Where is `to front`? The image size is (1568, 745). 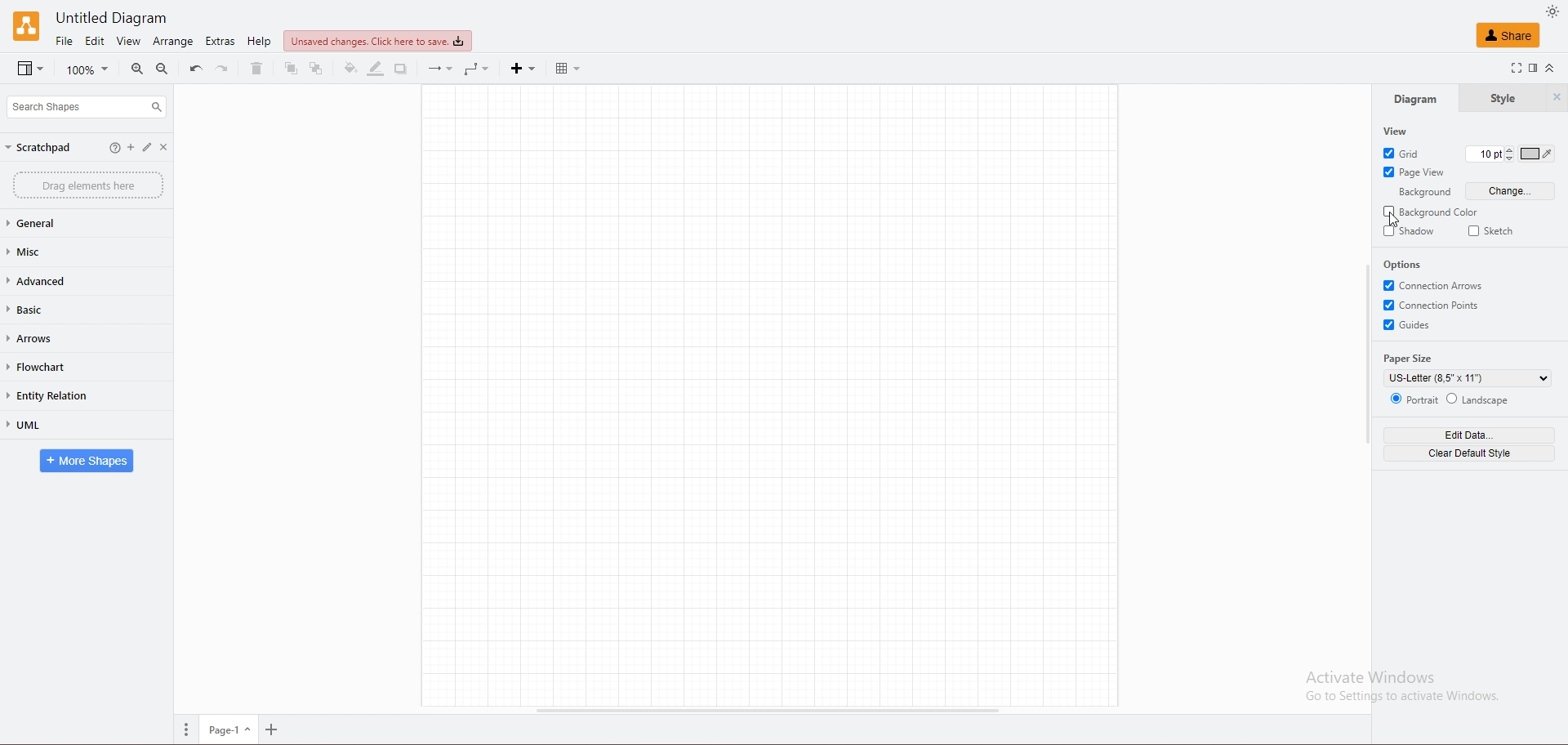
to front is located at coordinates (292, 69).